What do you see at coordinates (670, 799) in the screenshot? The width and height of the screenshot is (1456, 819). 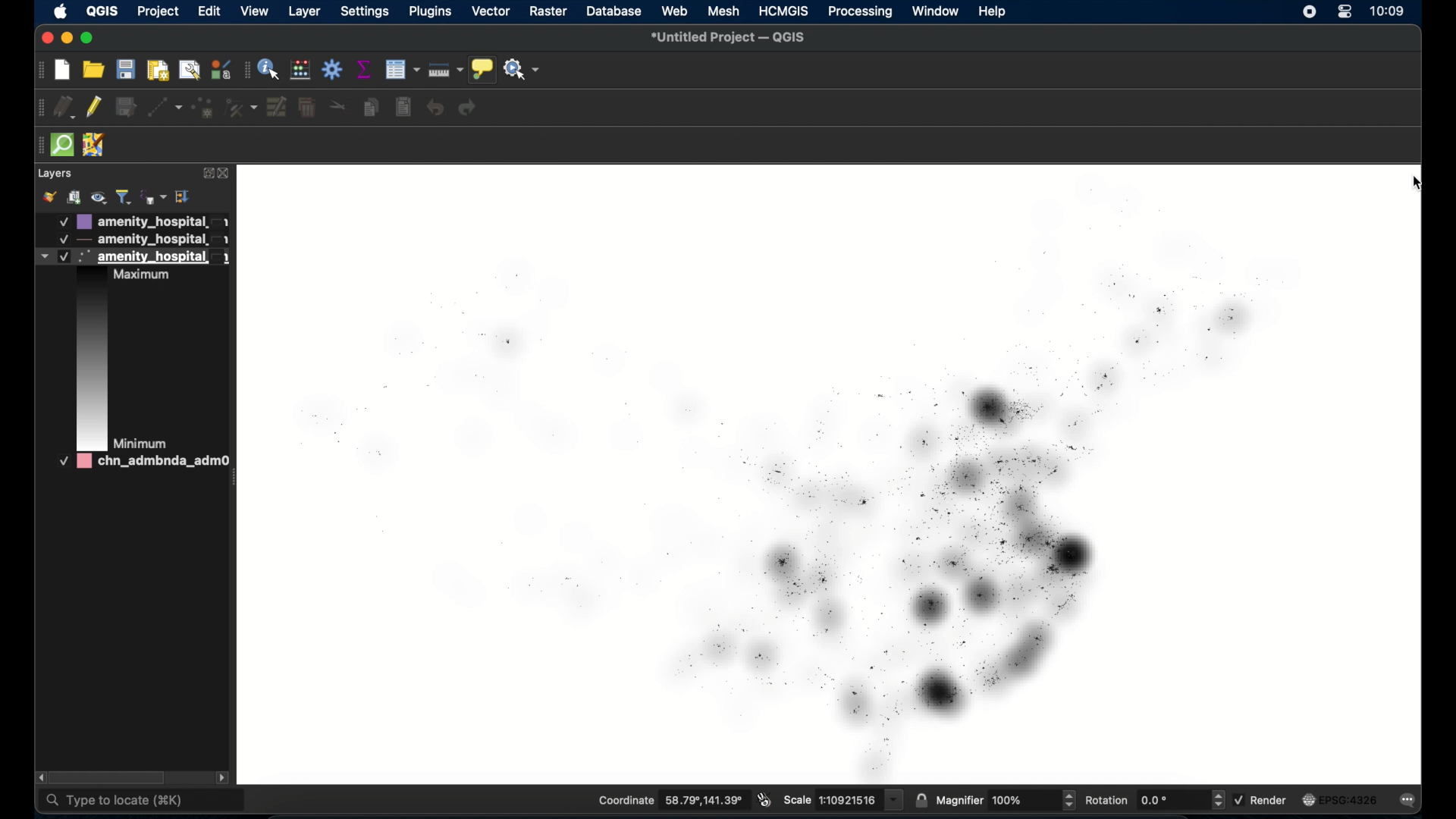 I see `coordinate` at bounding box center [670, 799].